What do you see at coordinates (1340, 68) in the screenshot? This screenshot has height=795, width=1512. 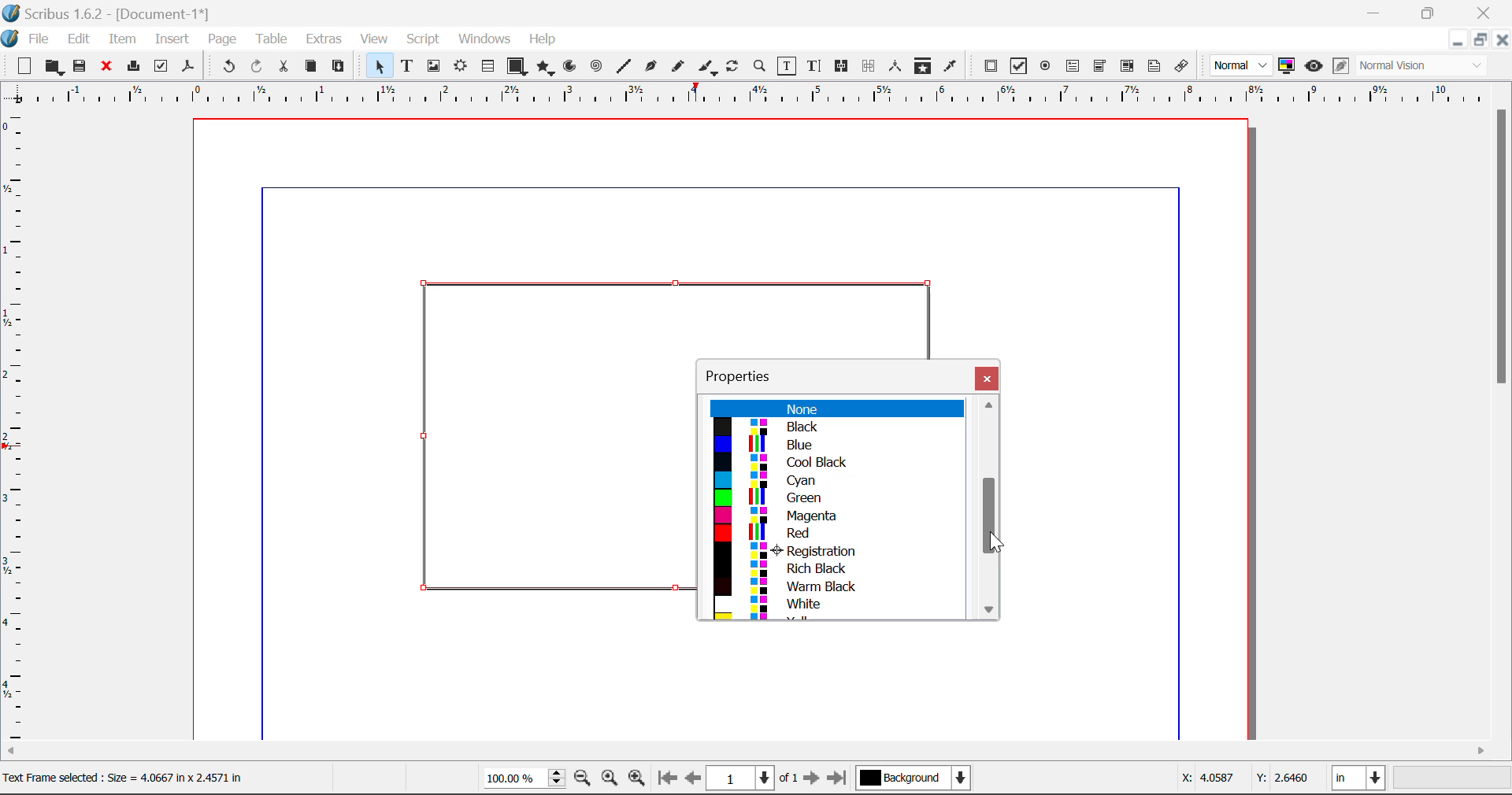 I see `Edit in Preview Mode` at bounding box center [1340, 68].